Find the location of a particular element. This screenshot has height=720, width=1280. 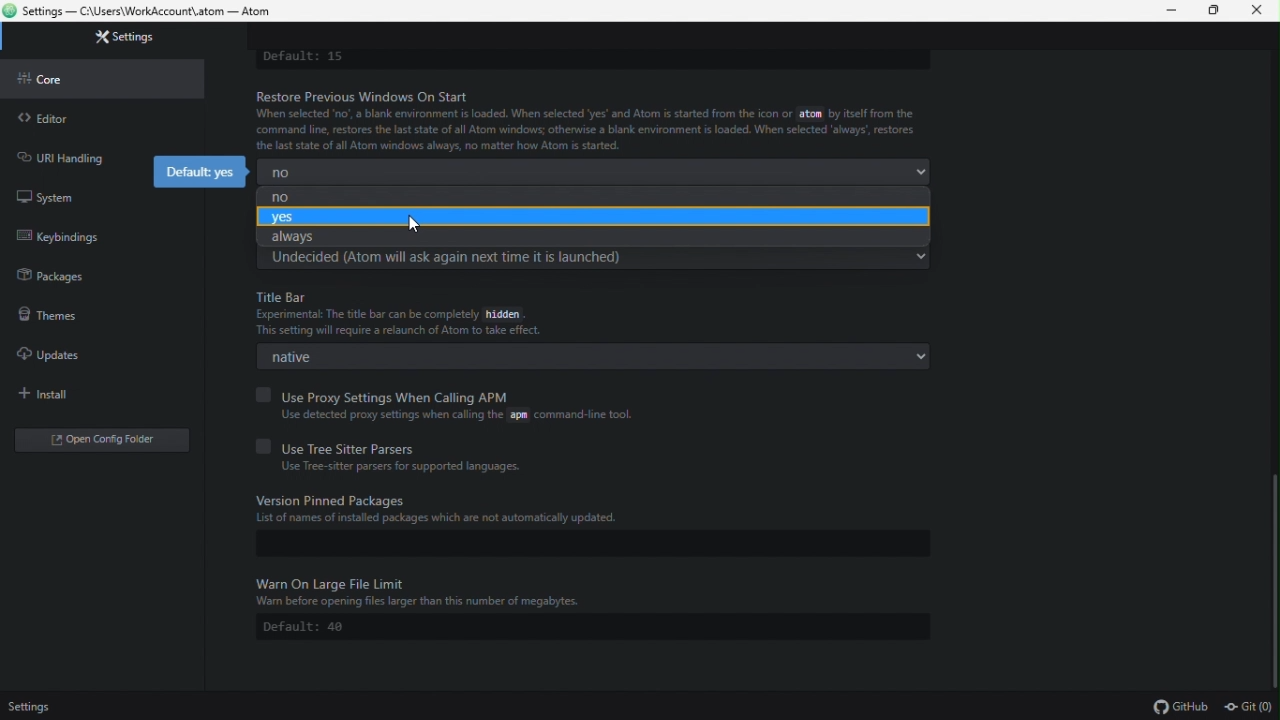

Version Pinned Packages List of names of installed packages which are not automatically updated. is located at coordinates (590, 509).